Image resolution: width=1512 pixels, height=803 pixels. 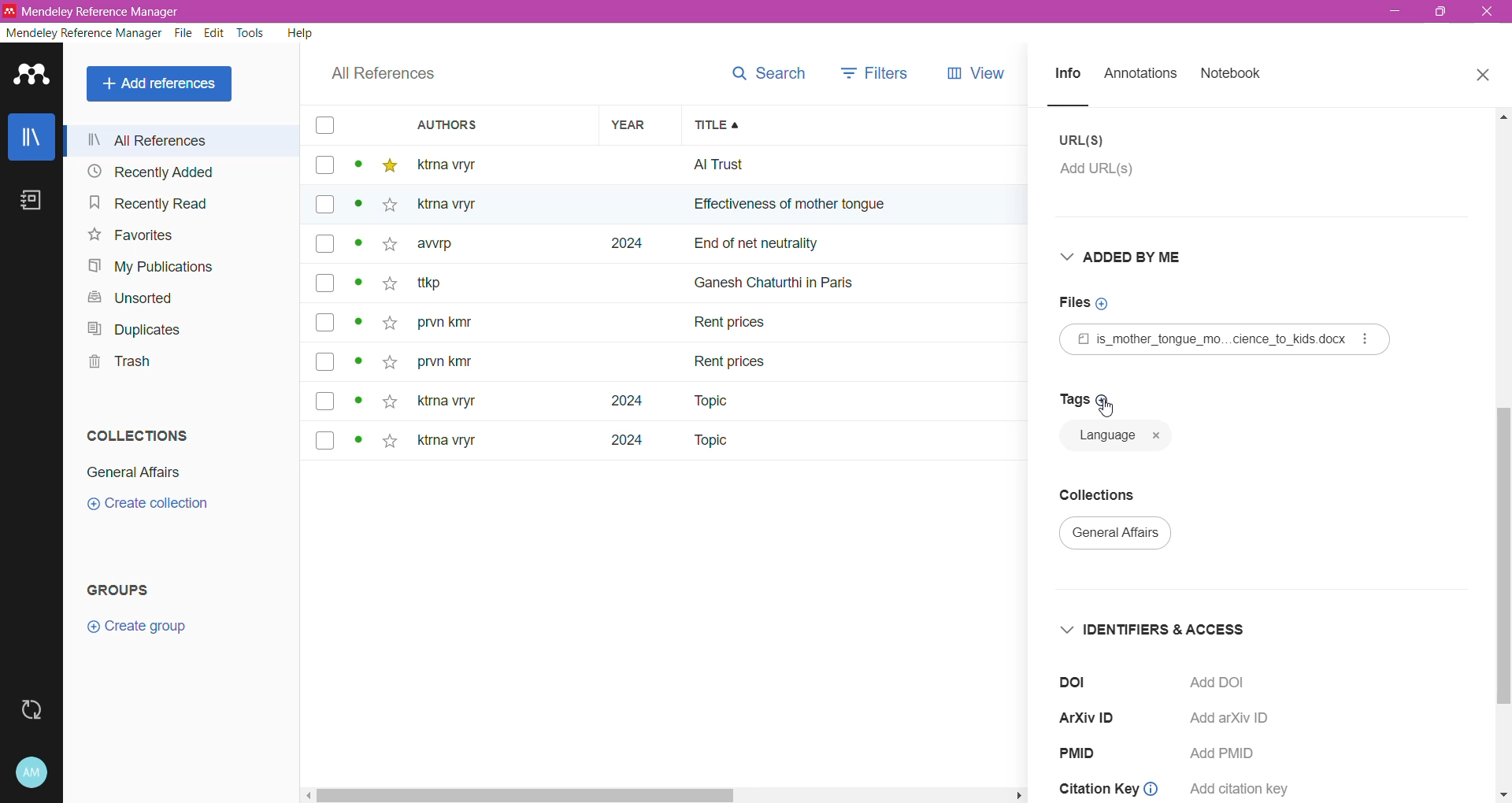 What do you see at coordinates (162, 84) in the screenshot?
I see `All References` at bounding box center [162, 84].